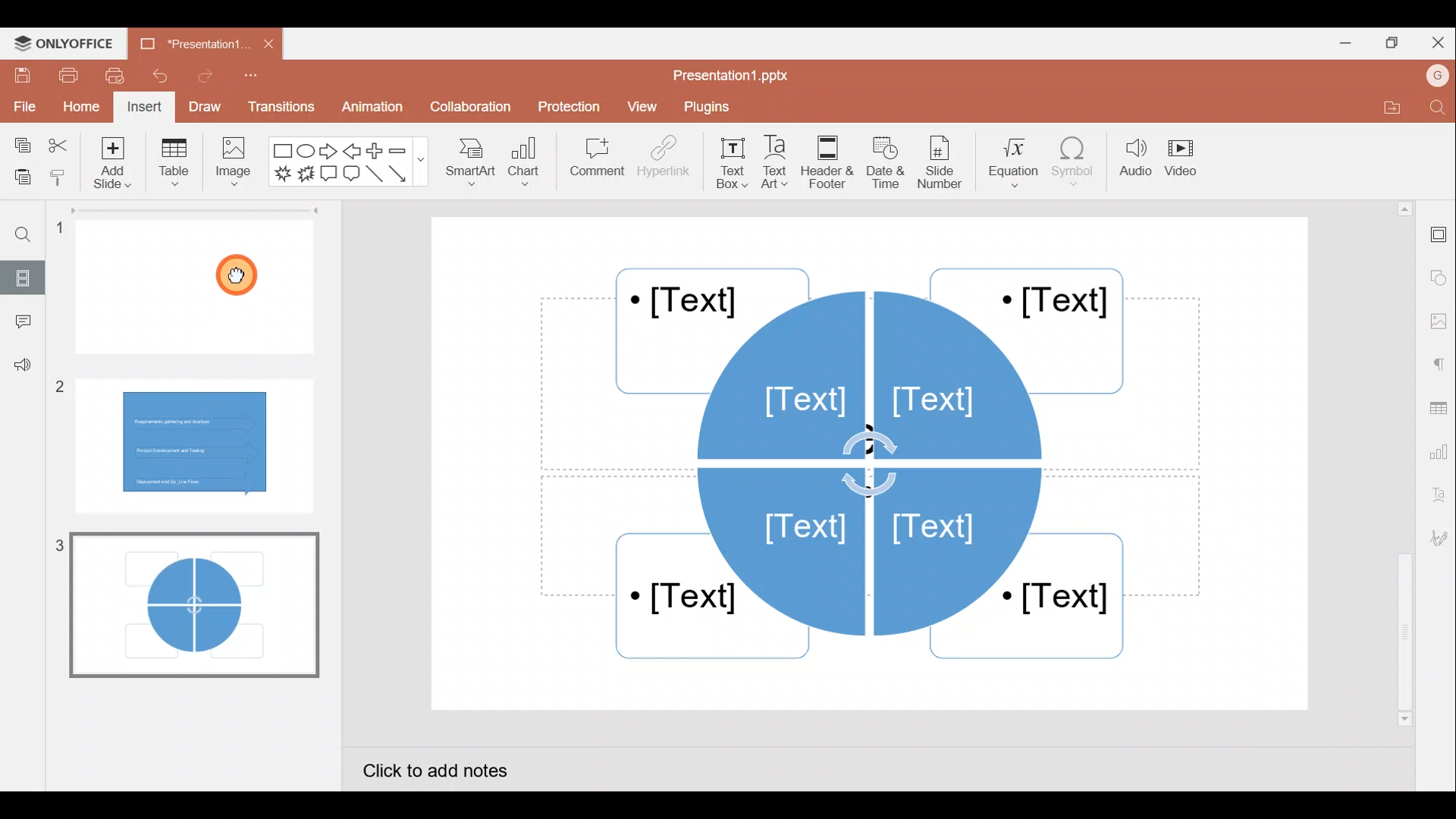 The height and width of the screenshot is (819, 1456). Describe the element at coordinates (664, 162) in the screenshot. I see `Hyperlink` at that location.